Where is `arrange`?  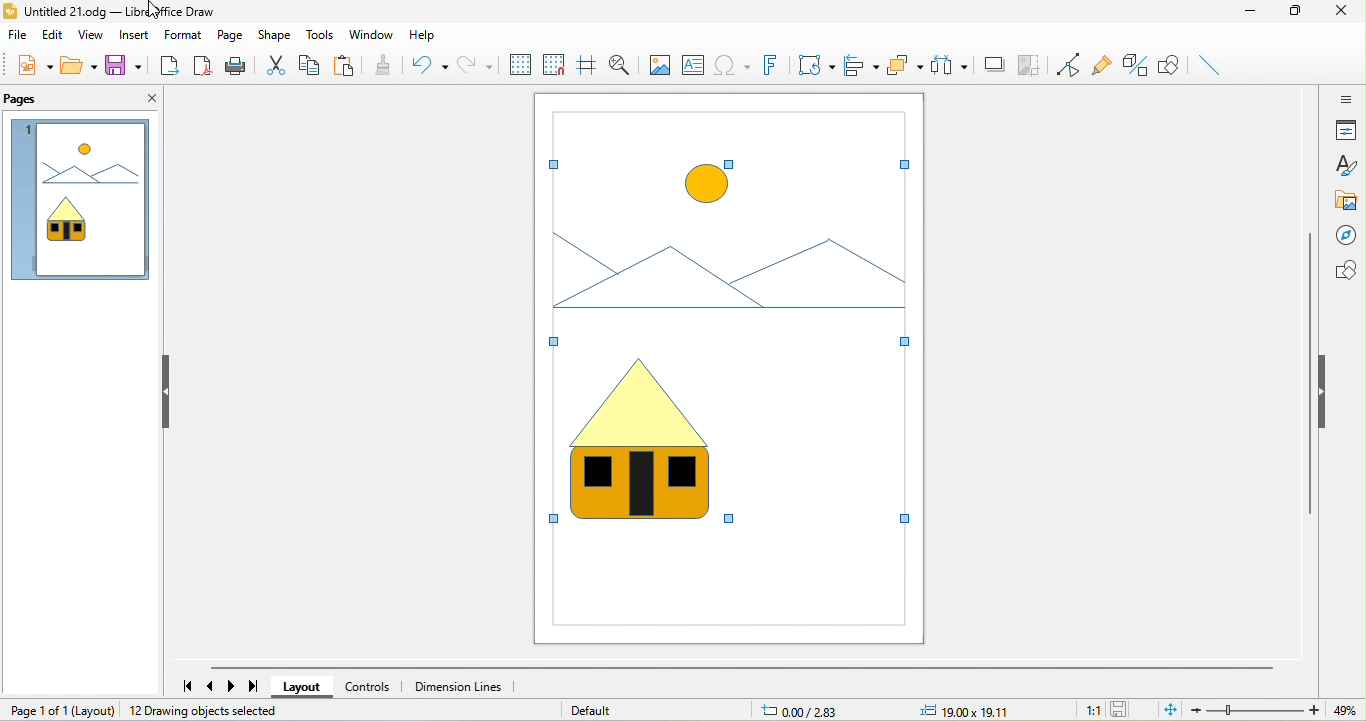 arrange is located at coordinates (908, 67).